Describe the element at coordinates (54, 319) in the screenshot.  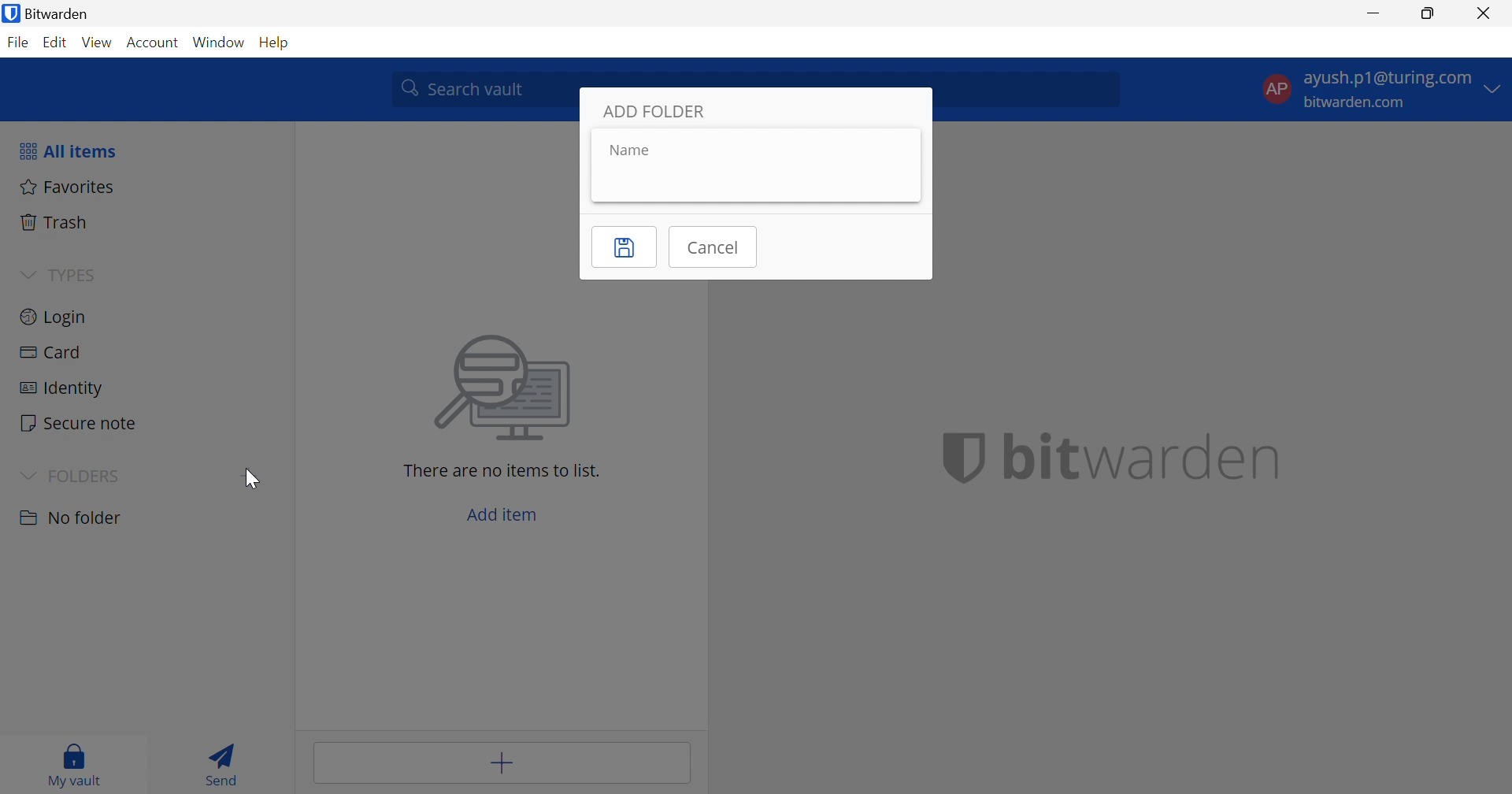
I see `Login` at that location.